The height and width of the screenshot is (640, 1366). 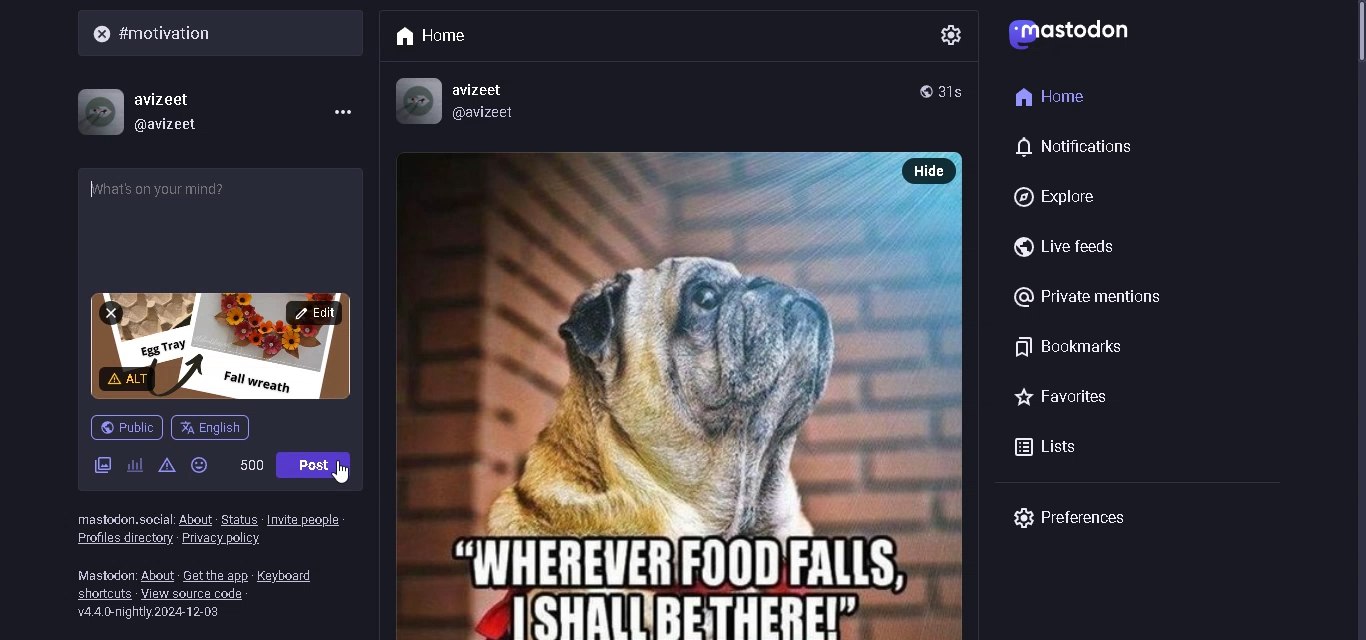 I want to click on privacy policy, so click(x=229, y=539).